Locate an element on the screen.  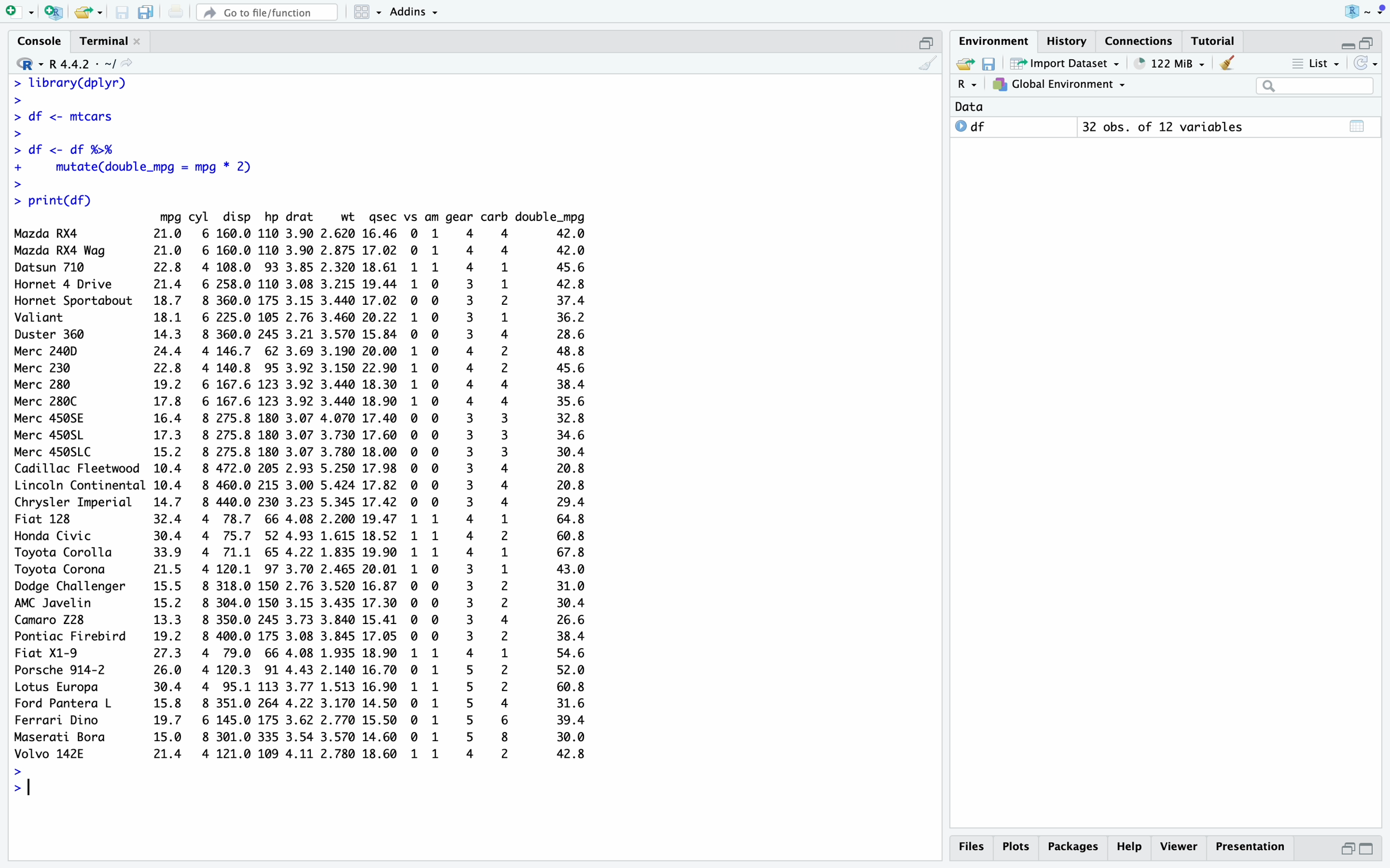
>
> is located at coordinates (18, 782).